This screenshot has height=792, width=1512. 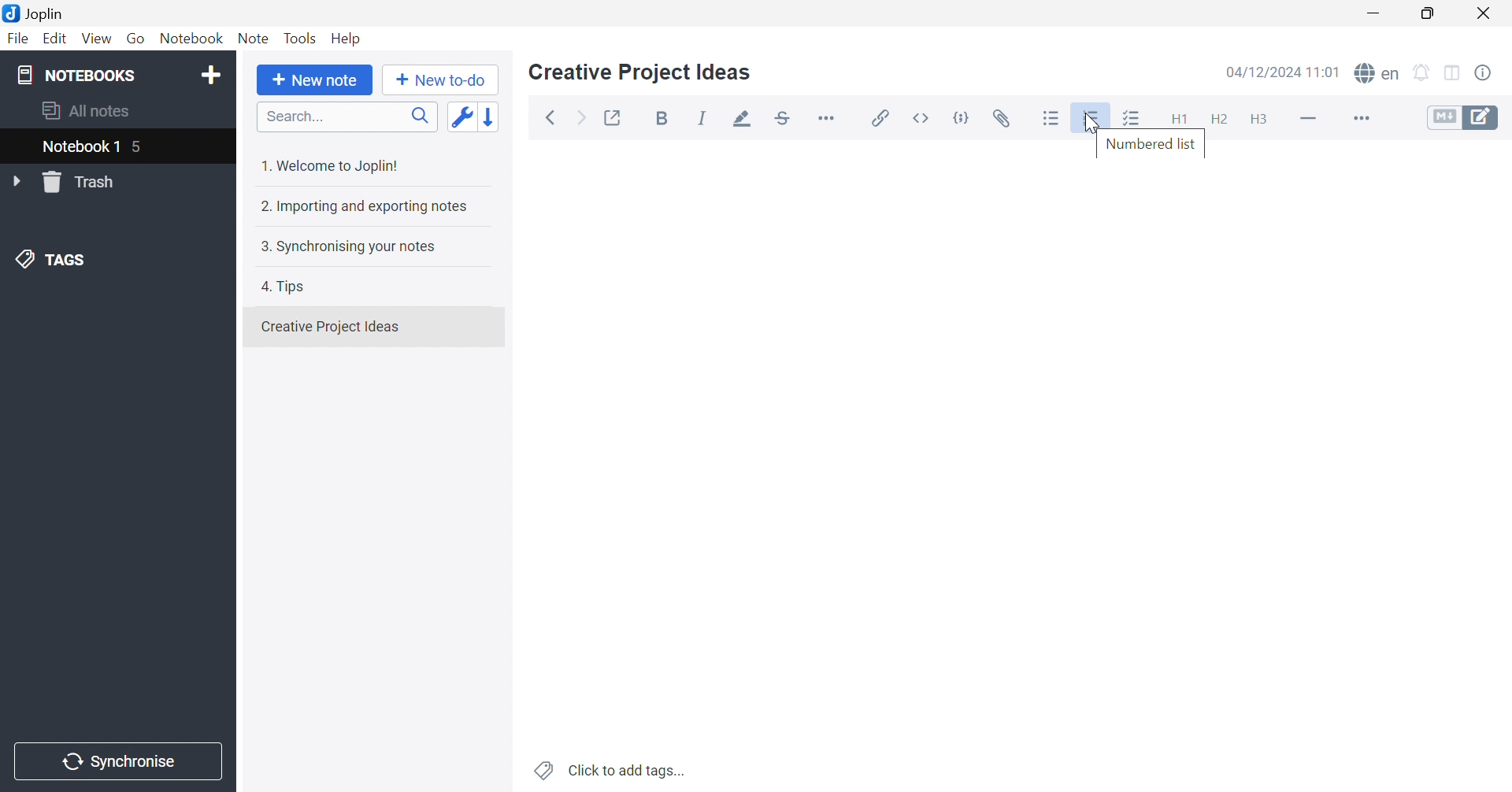 I want to click on Cursor, so click(x=1095, y=120).